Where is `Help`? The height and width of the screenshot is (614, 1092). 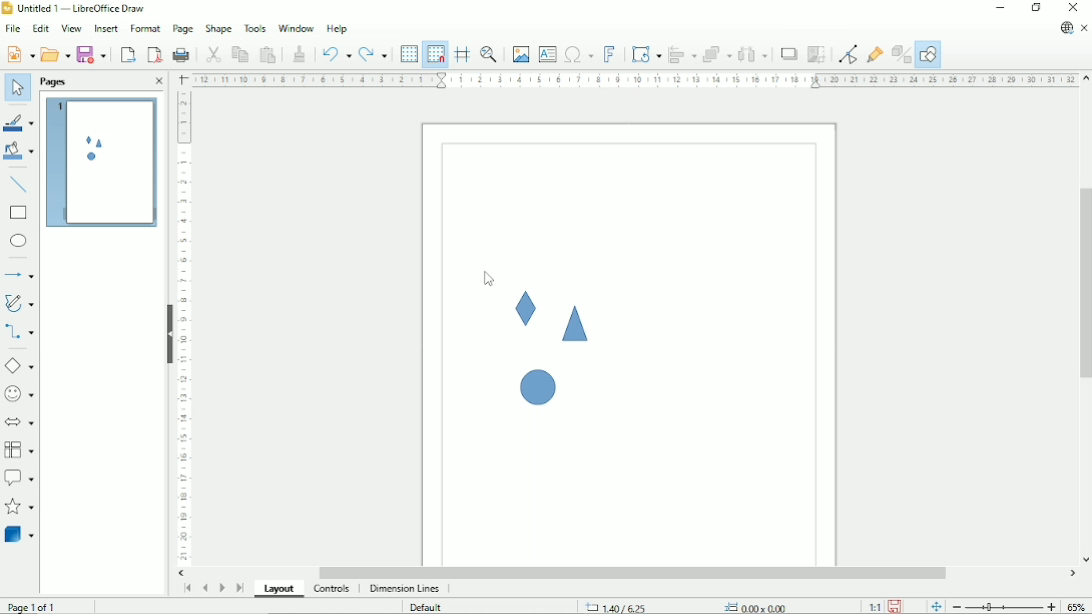
Help is located at coordinates (337, 29).